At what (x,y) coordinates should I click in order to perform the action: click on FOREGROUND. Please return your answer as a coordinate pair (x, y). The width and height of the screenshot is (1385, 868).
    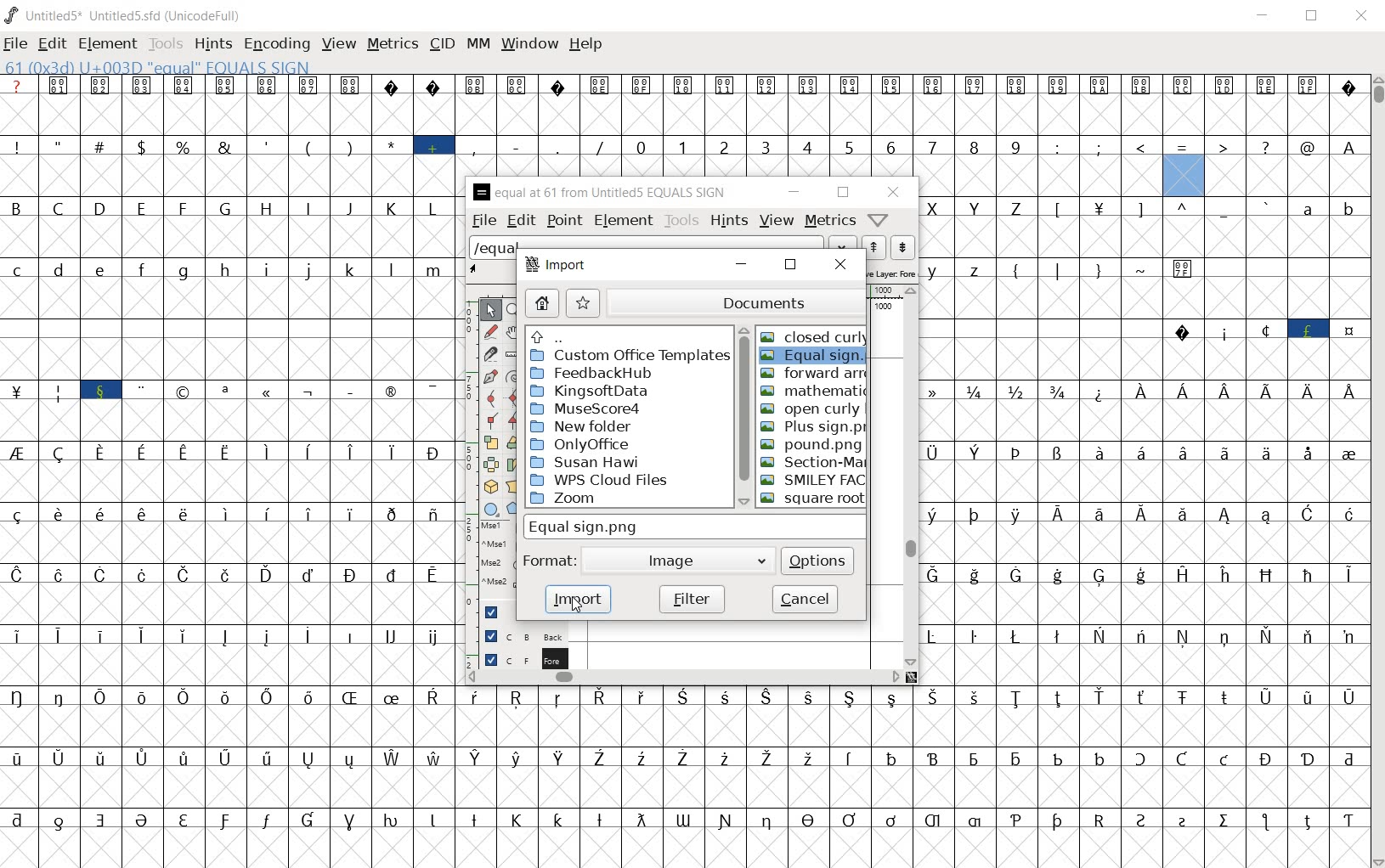
    Looking at the image, I should click on (516, 657).